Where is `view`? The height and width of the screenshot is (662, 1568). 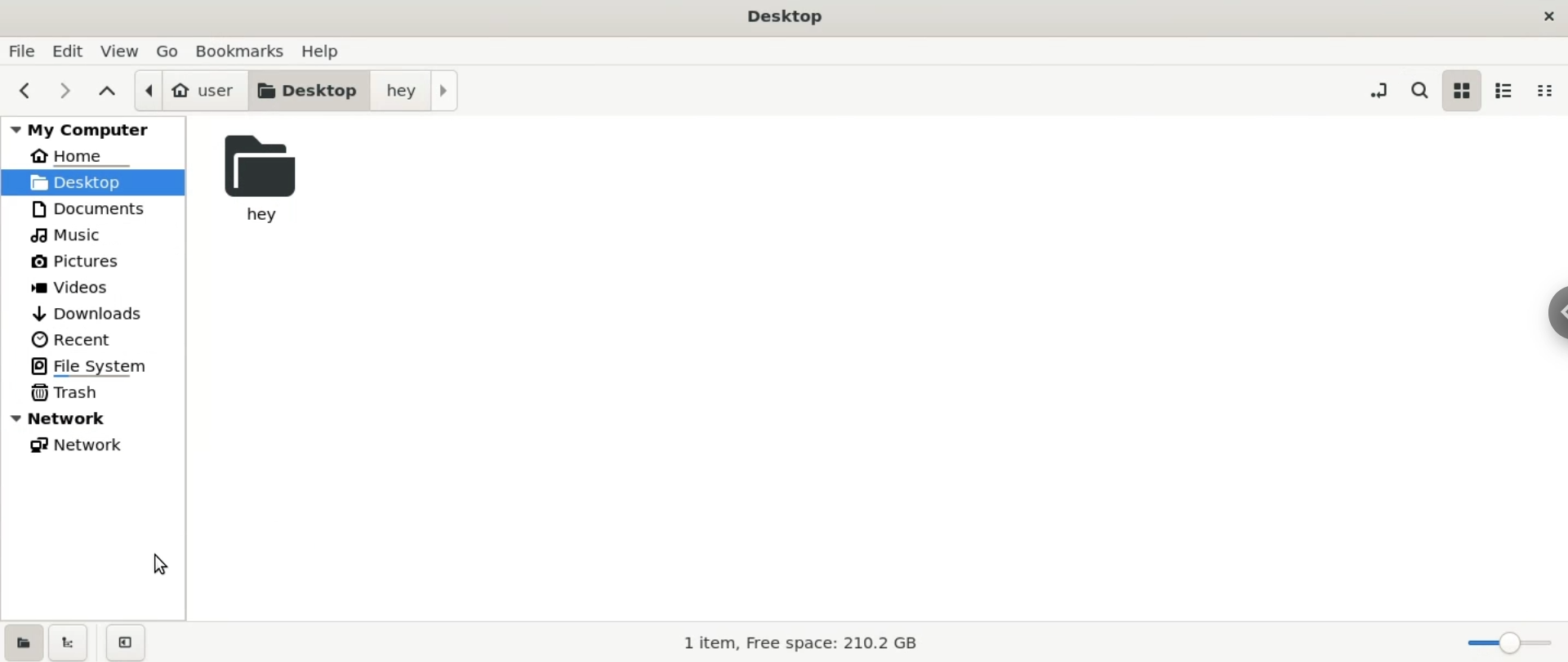 view is located at coordinates (122, 50).